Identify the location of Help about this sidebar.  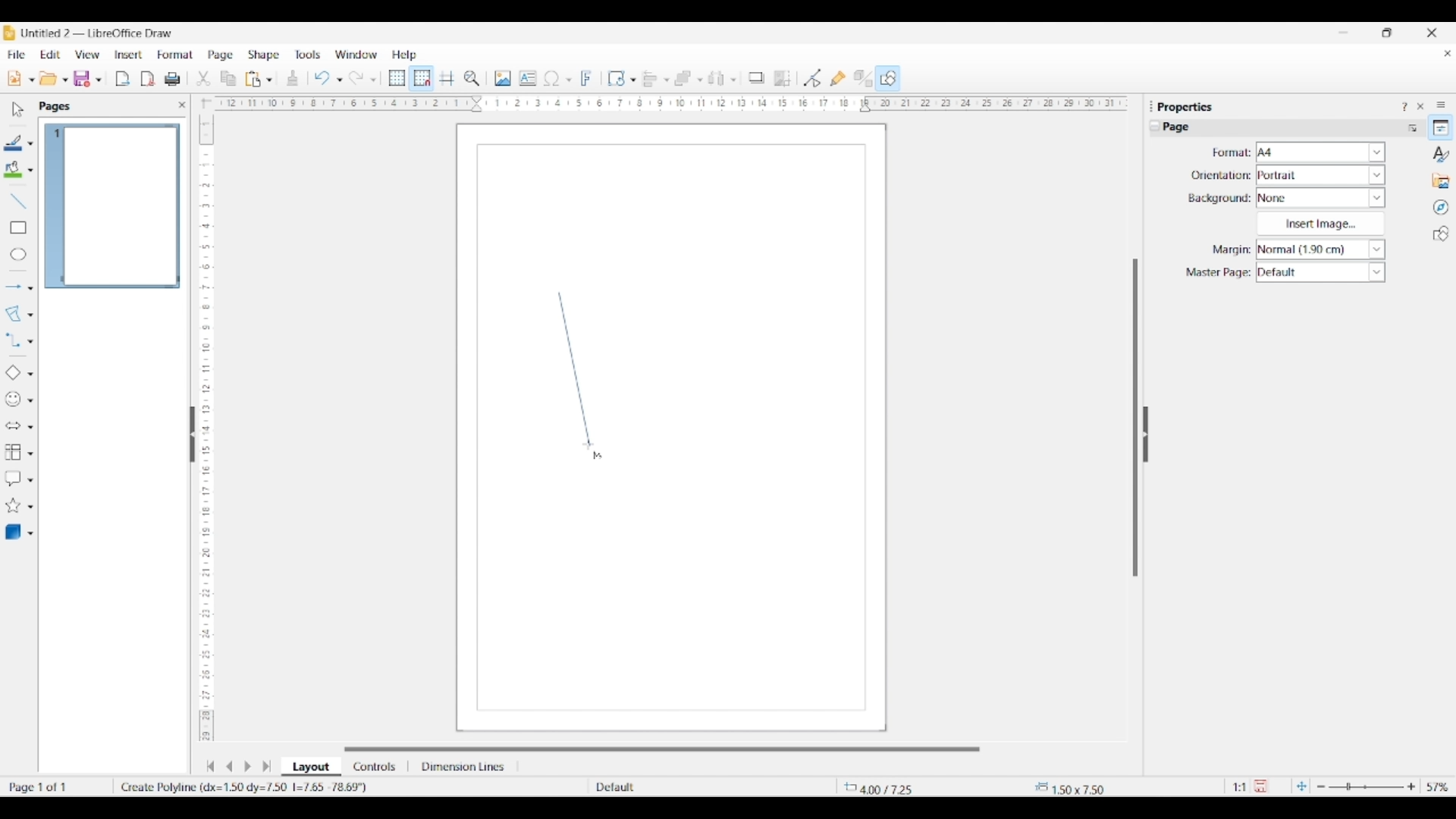
(1404, 106).